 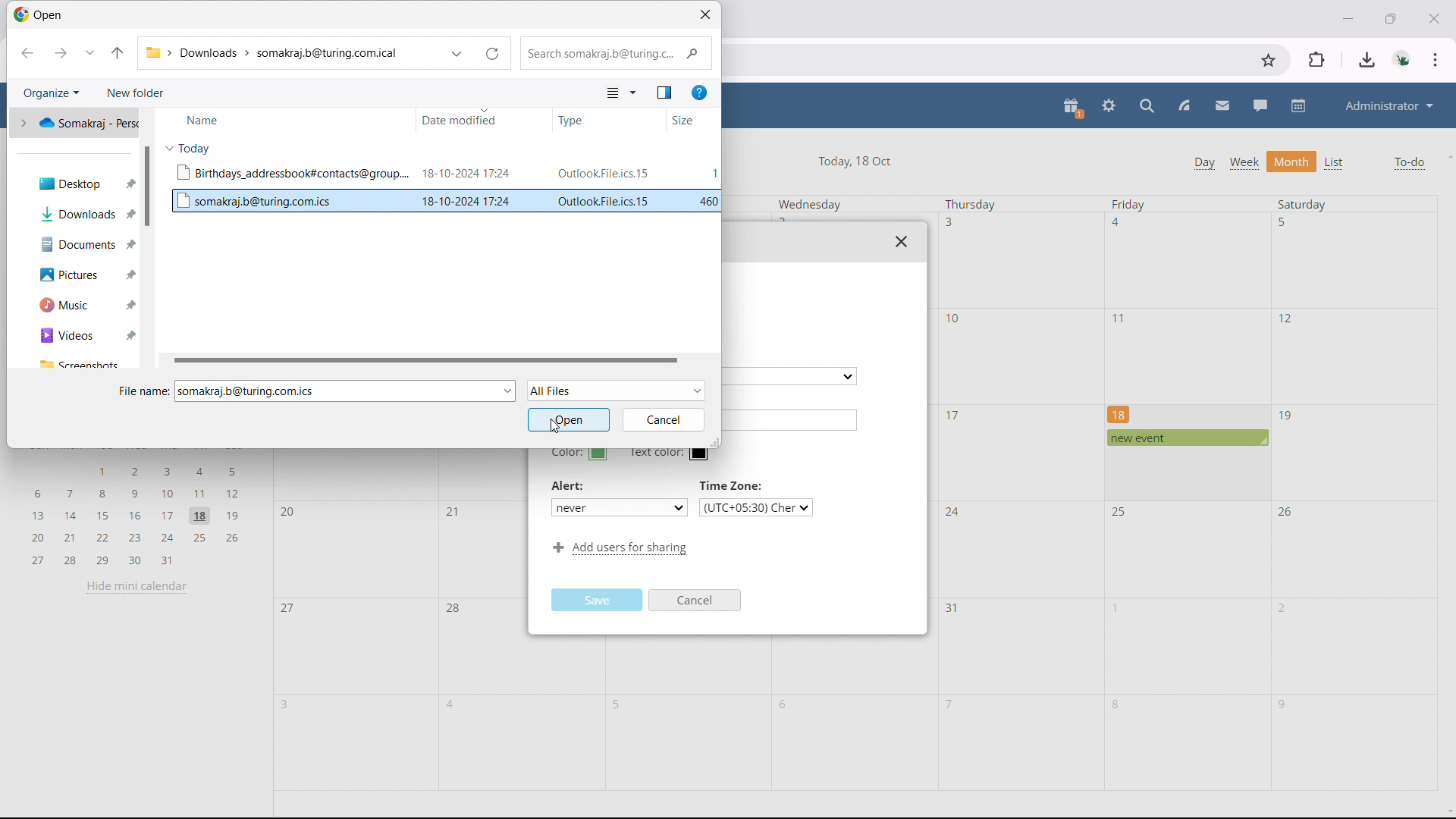 I want to click on To-do, so click(x=1409, y=163).